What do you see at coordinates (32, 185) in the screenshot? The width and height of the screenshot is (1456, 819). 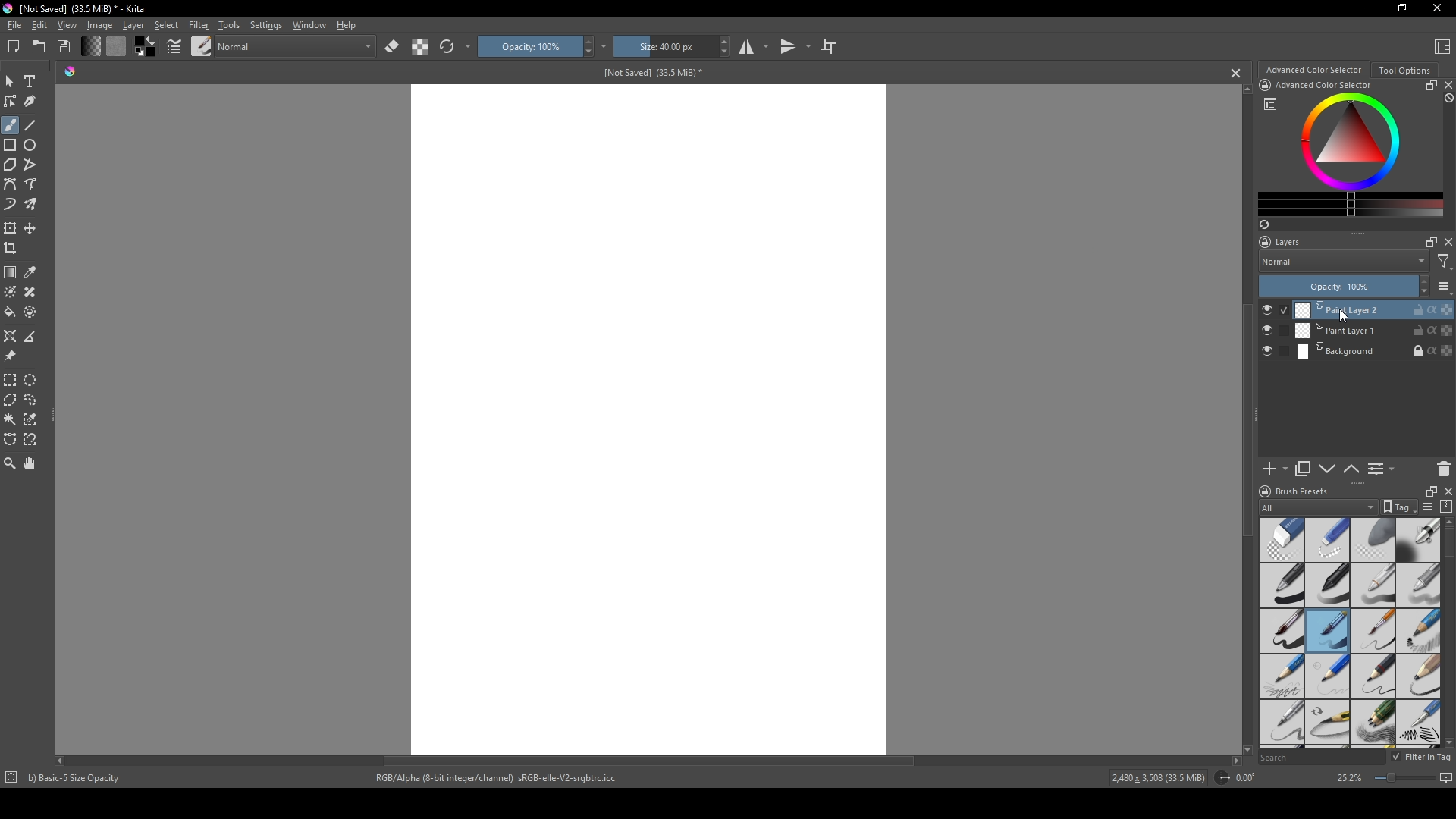 I see `free hand` at bounding box center [32, 185].